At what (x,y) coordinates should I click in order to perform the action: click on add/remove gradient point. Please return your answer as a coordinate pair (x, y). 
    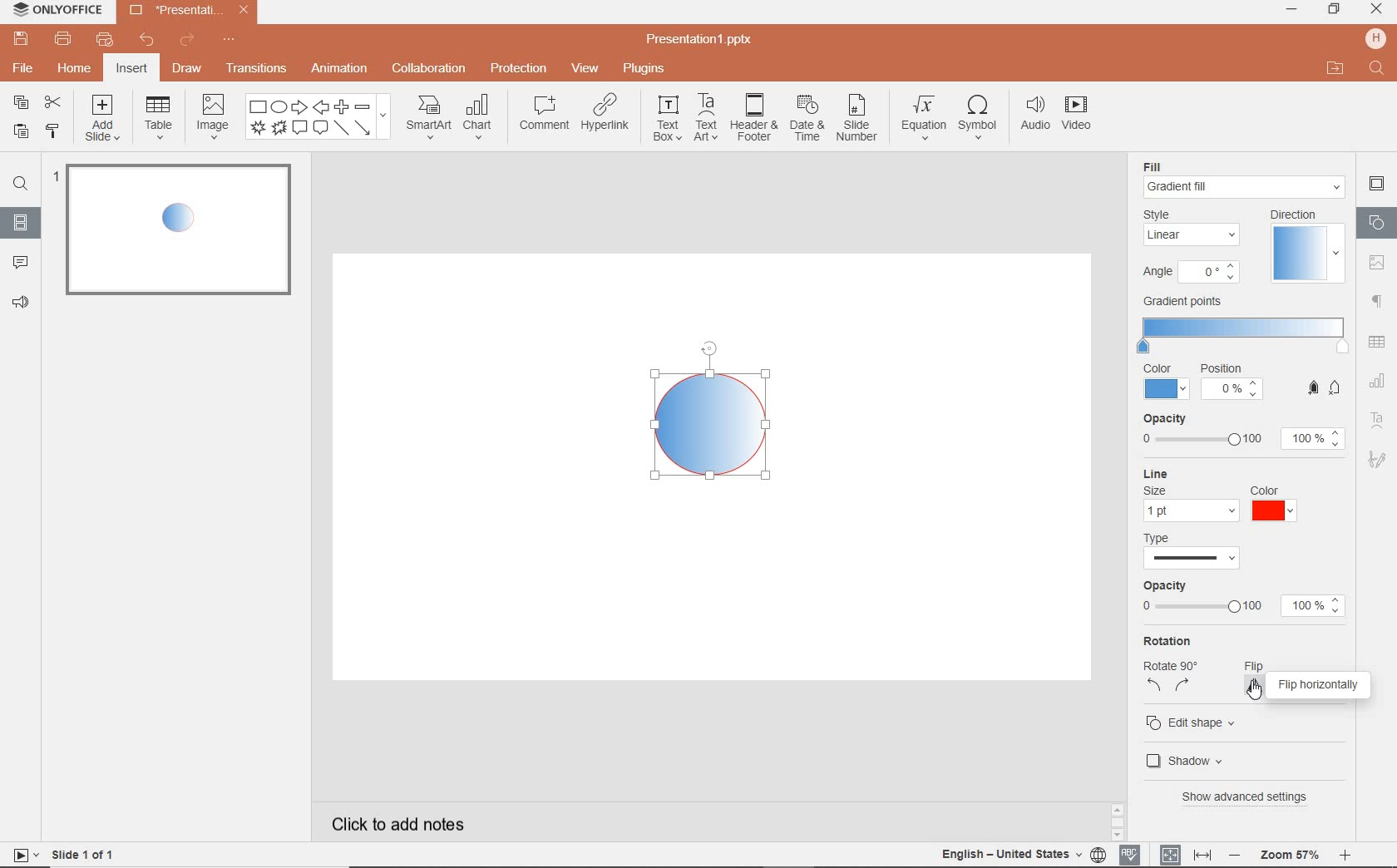
    Looking at the image, I should click on (1325, 387).